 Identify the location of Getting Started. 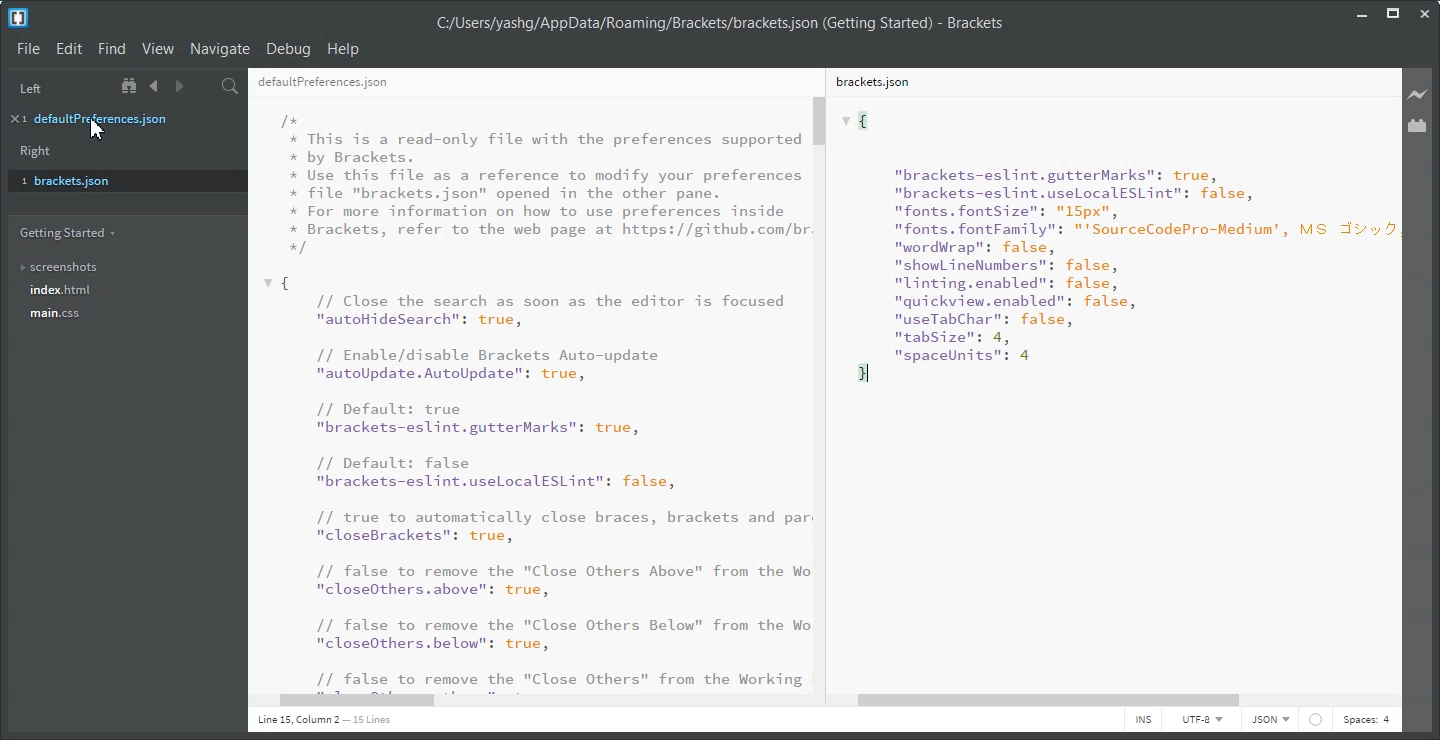
(67, 232).